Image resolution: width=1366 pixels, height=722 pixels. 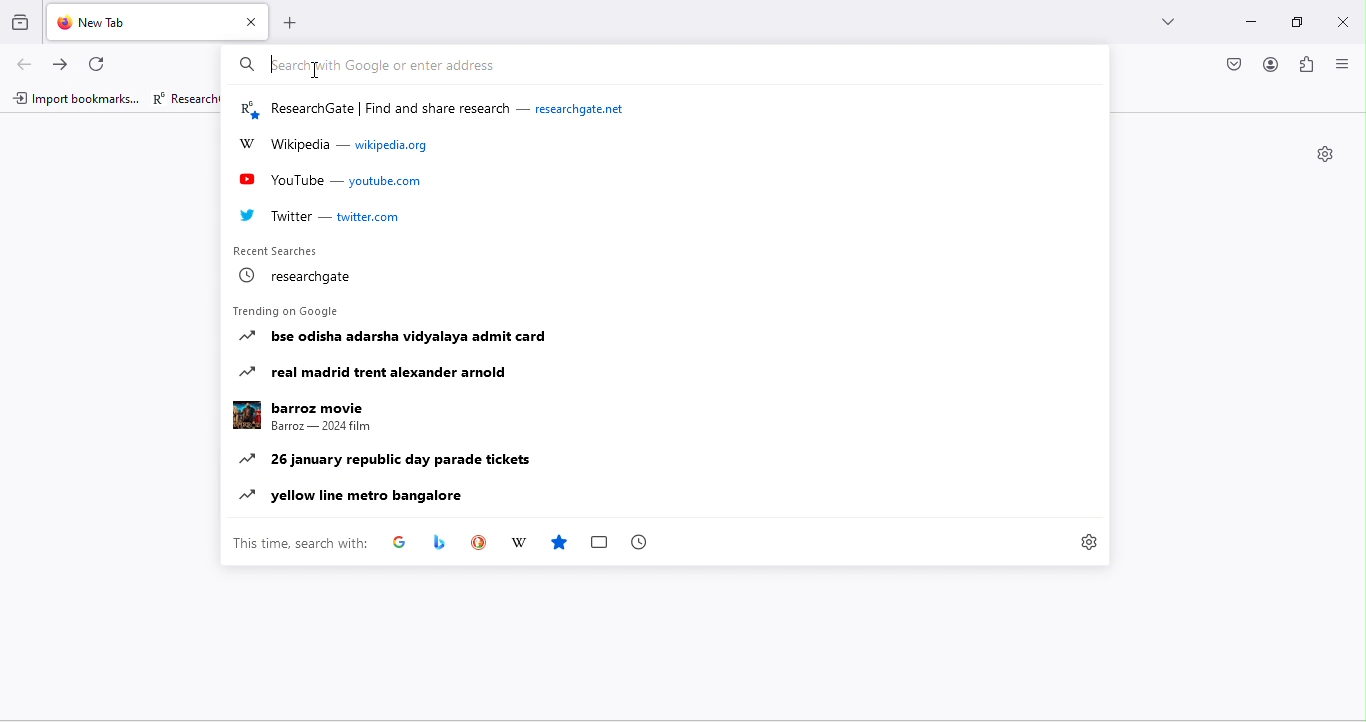 What do you see at coordinates (57, 64) in the screenshot?
I see `forward` at bounding box center [57, 64].